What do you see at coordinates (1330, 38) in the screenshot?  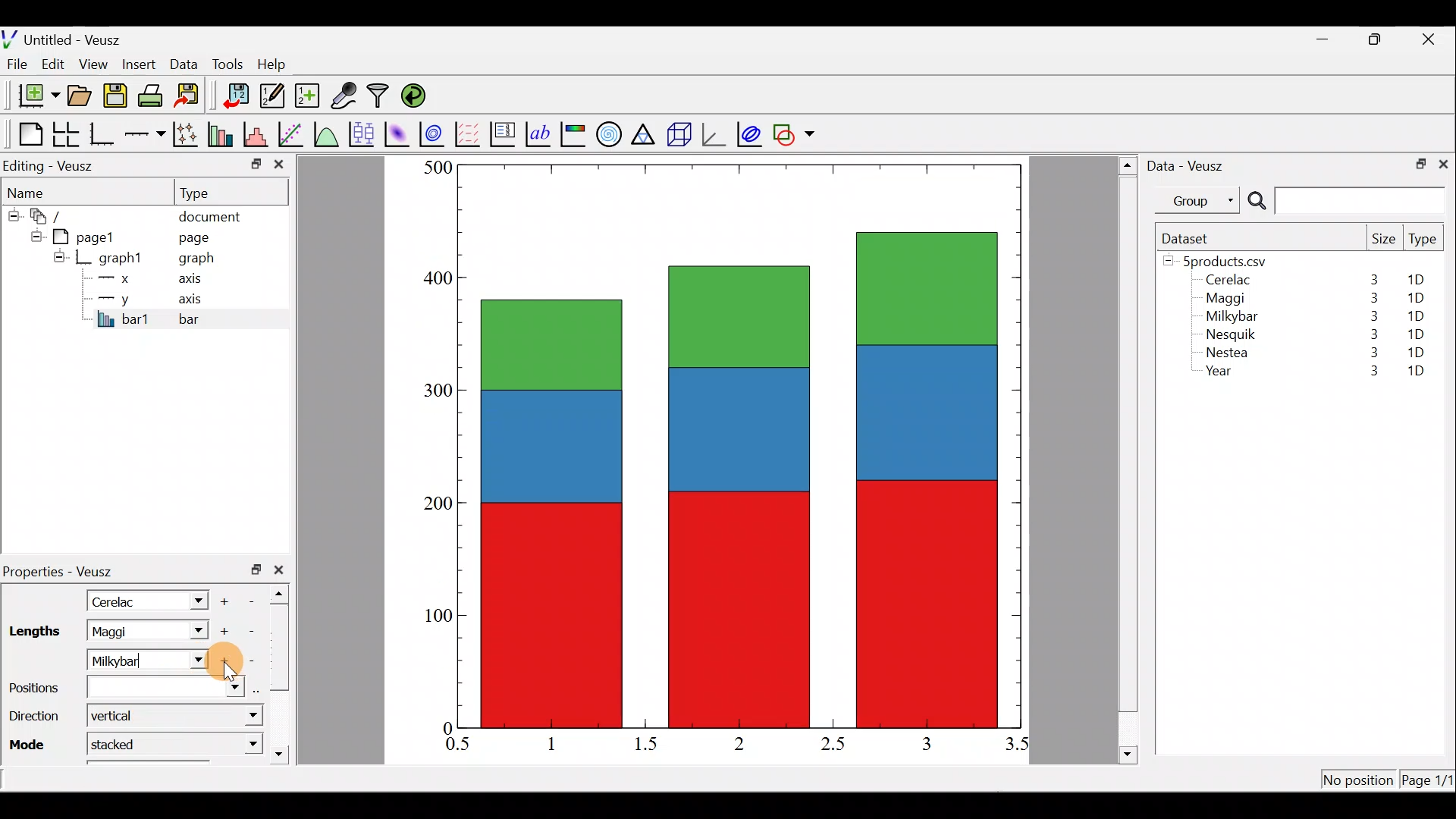 I see `minimize` at bounding box center [1330, 38].